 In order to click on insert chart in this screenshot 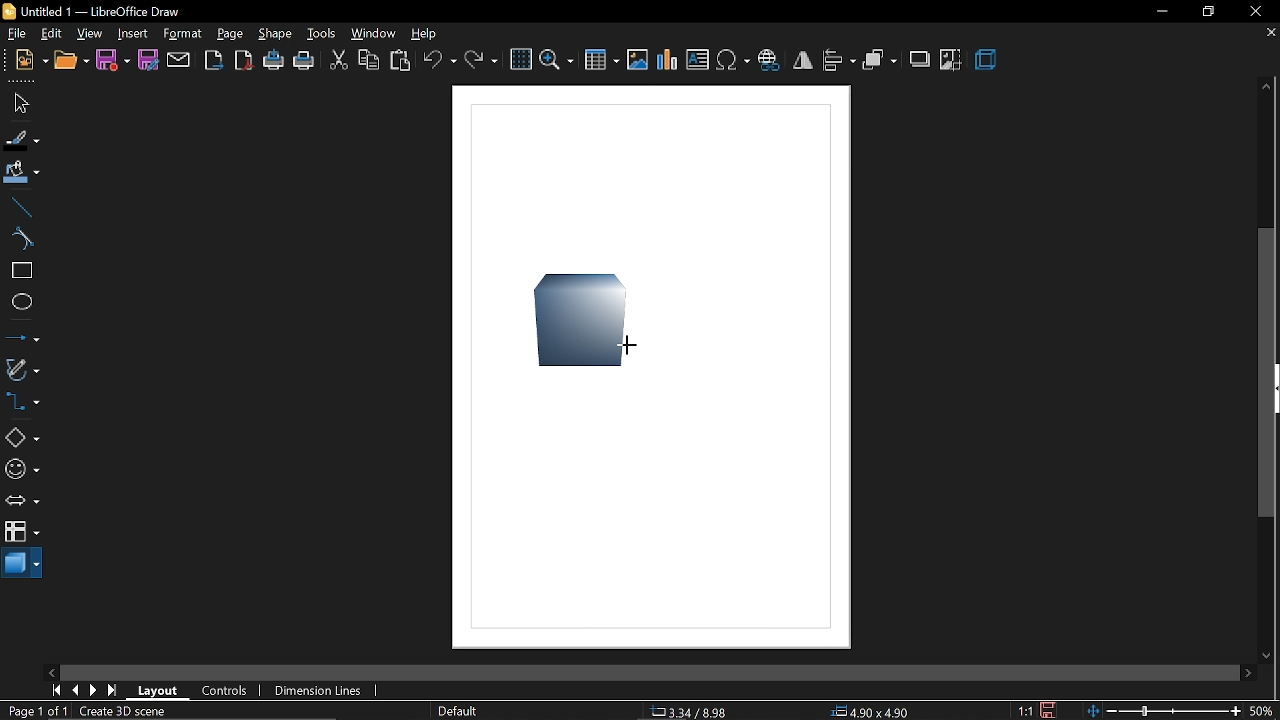, I will do `click(668, 60)`.